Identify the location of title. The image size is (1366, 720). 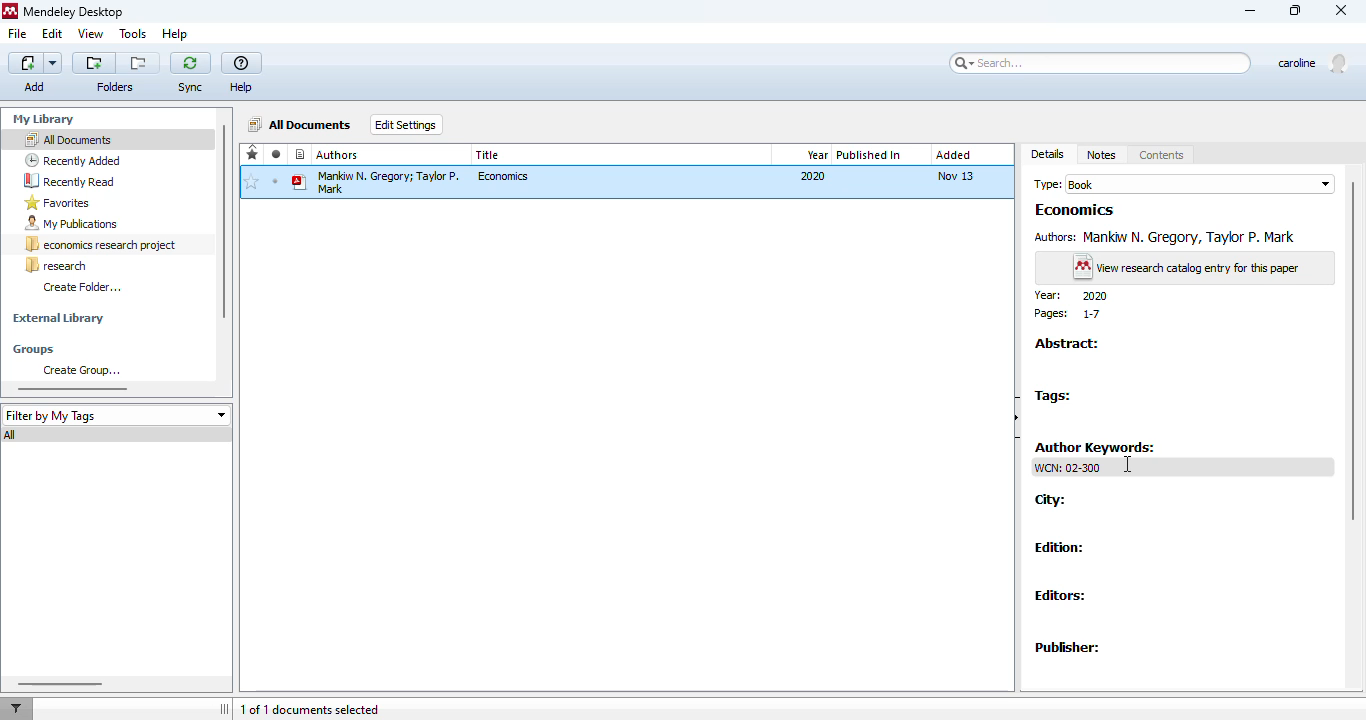
(487, 154).